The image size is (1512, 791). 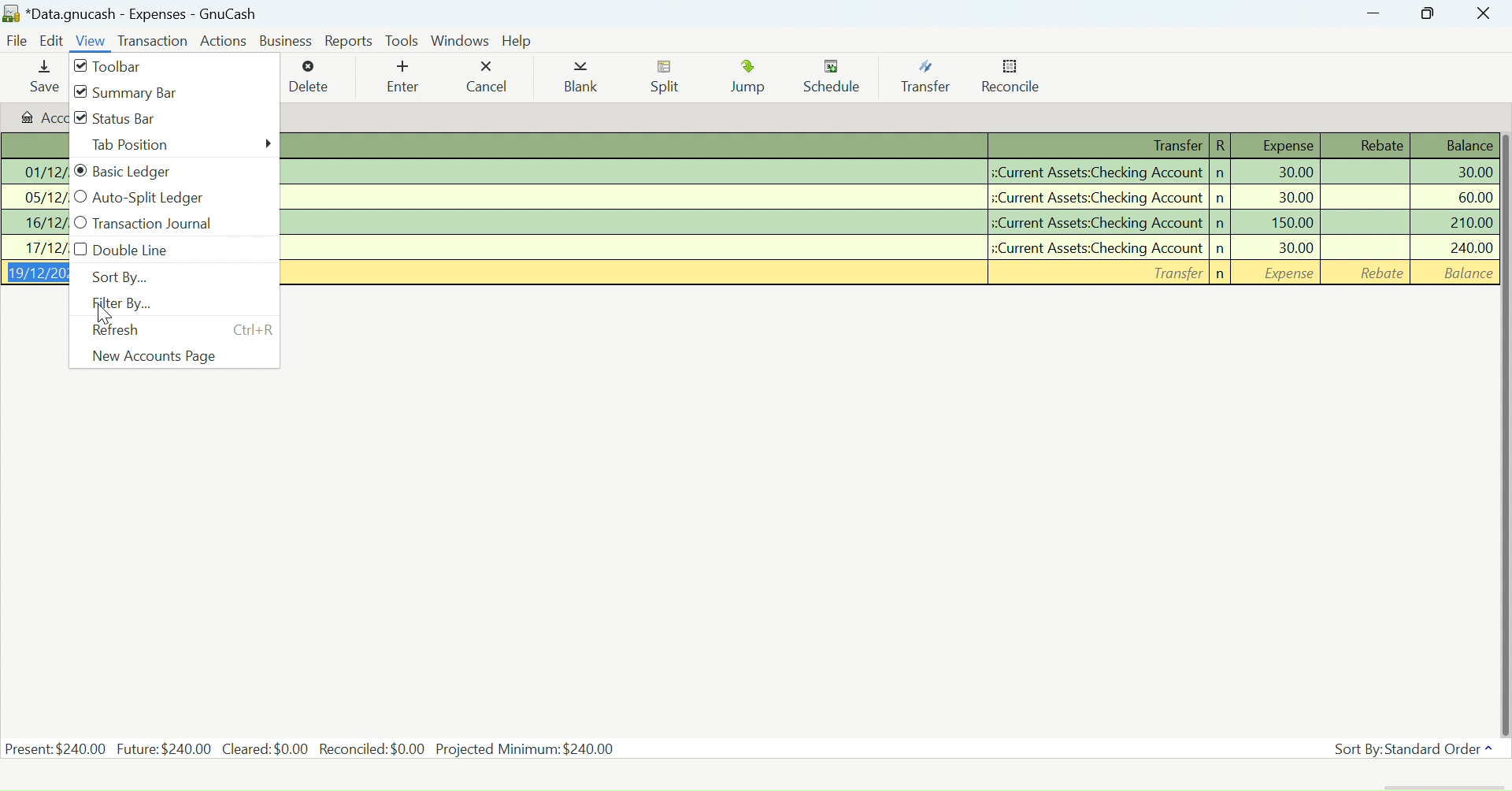 I want to click on Checkbox, so click(x=80, y=249).